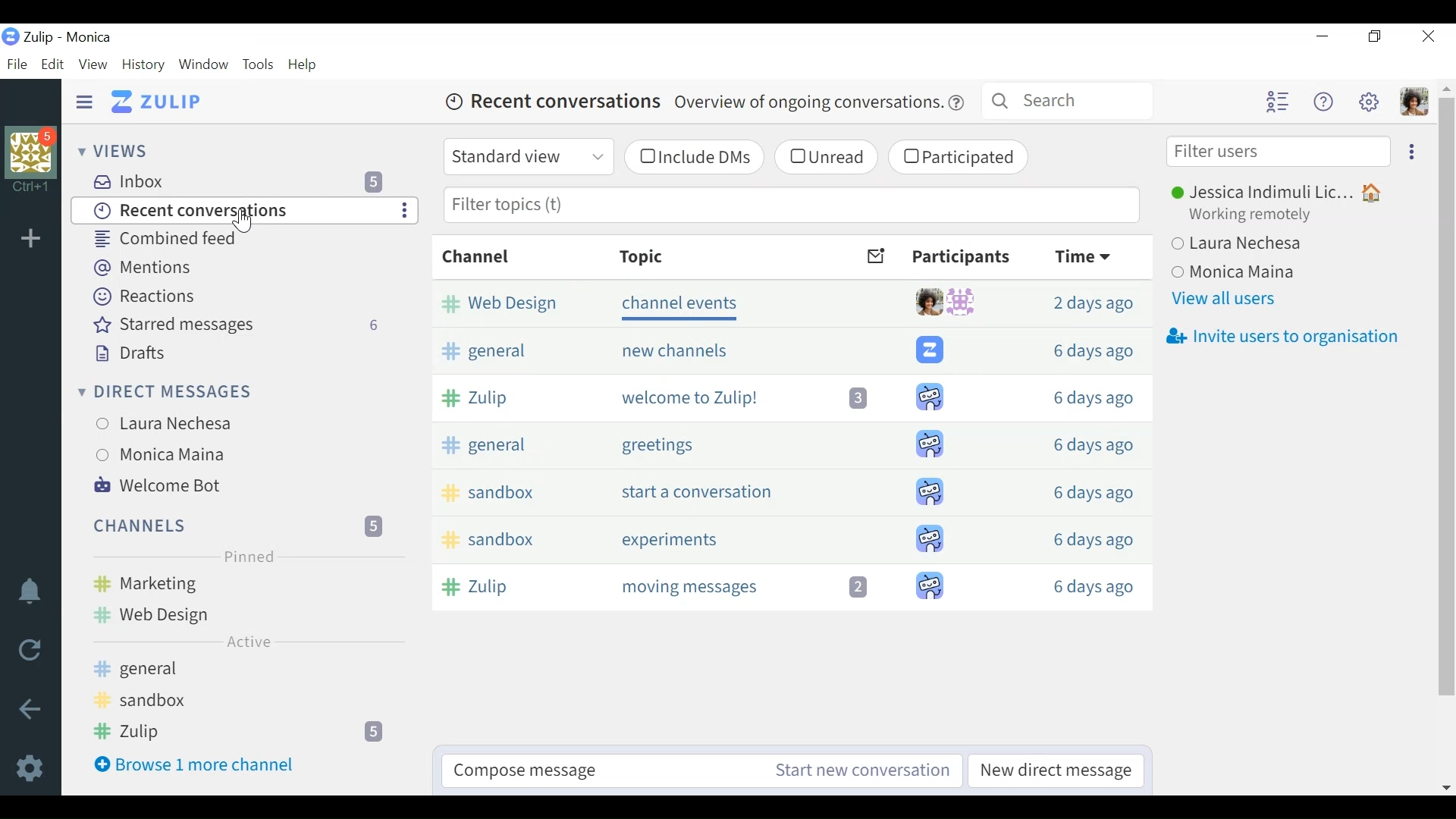 The width and height of the screenshot is (1456, 819). What do you see at coordinates (133, 353) in the screenshot?
I see `Drafts` at bounding box center [133, 353].